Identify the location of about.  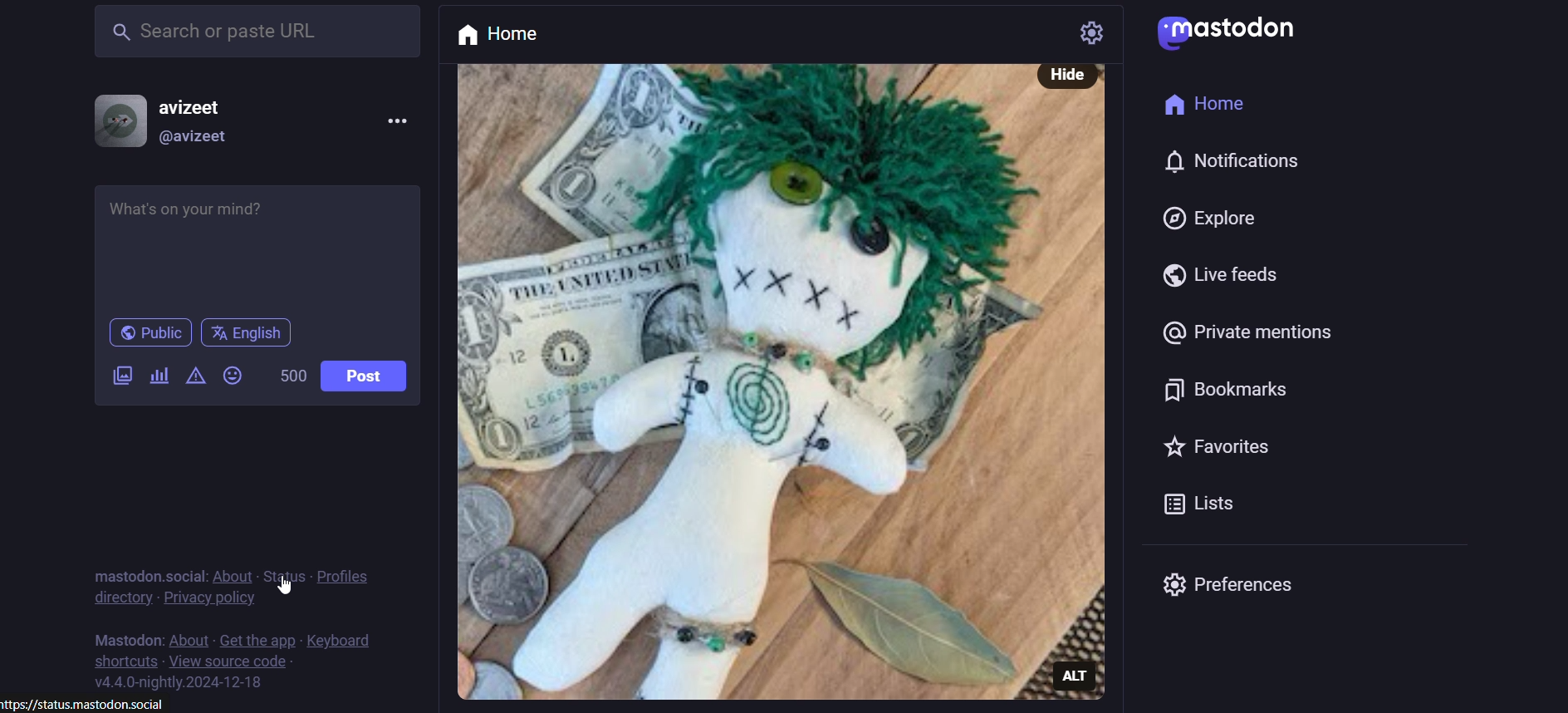
(232, 571).